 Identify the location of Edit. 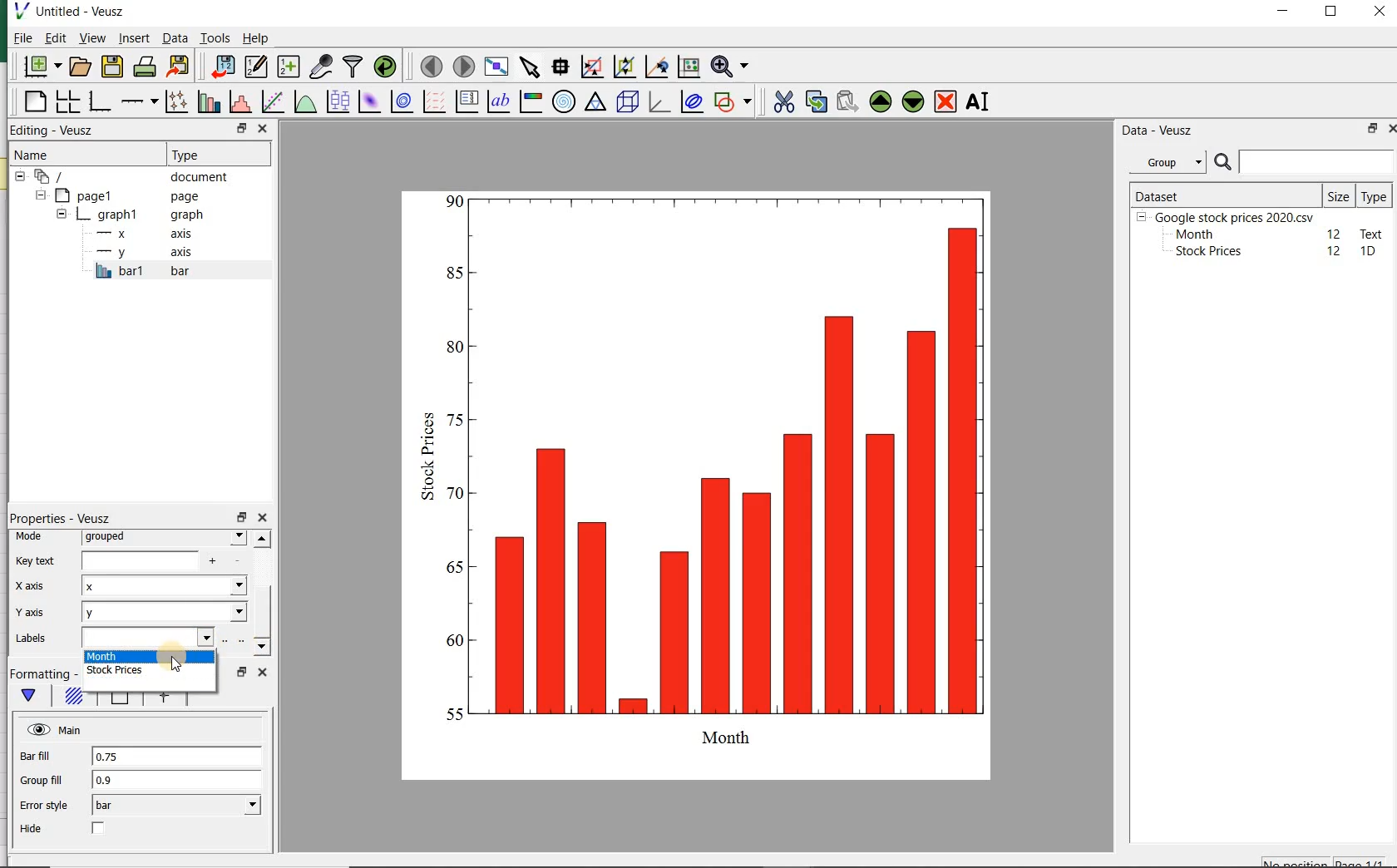
(54, 37).